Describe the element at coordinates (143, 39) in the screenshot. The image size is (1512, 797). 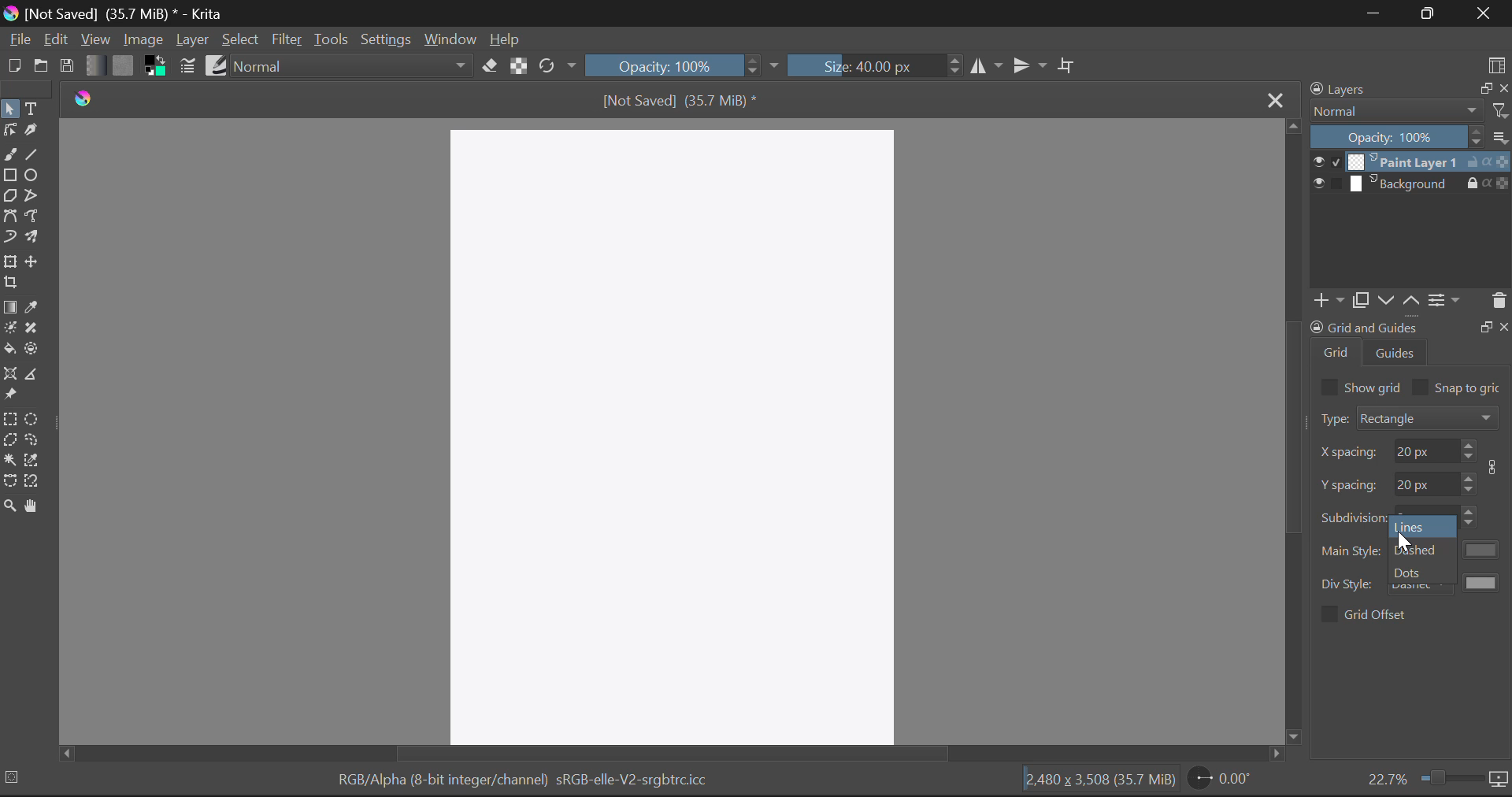
I see `Image` at that location.